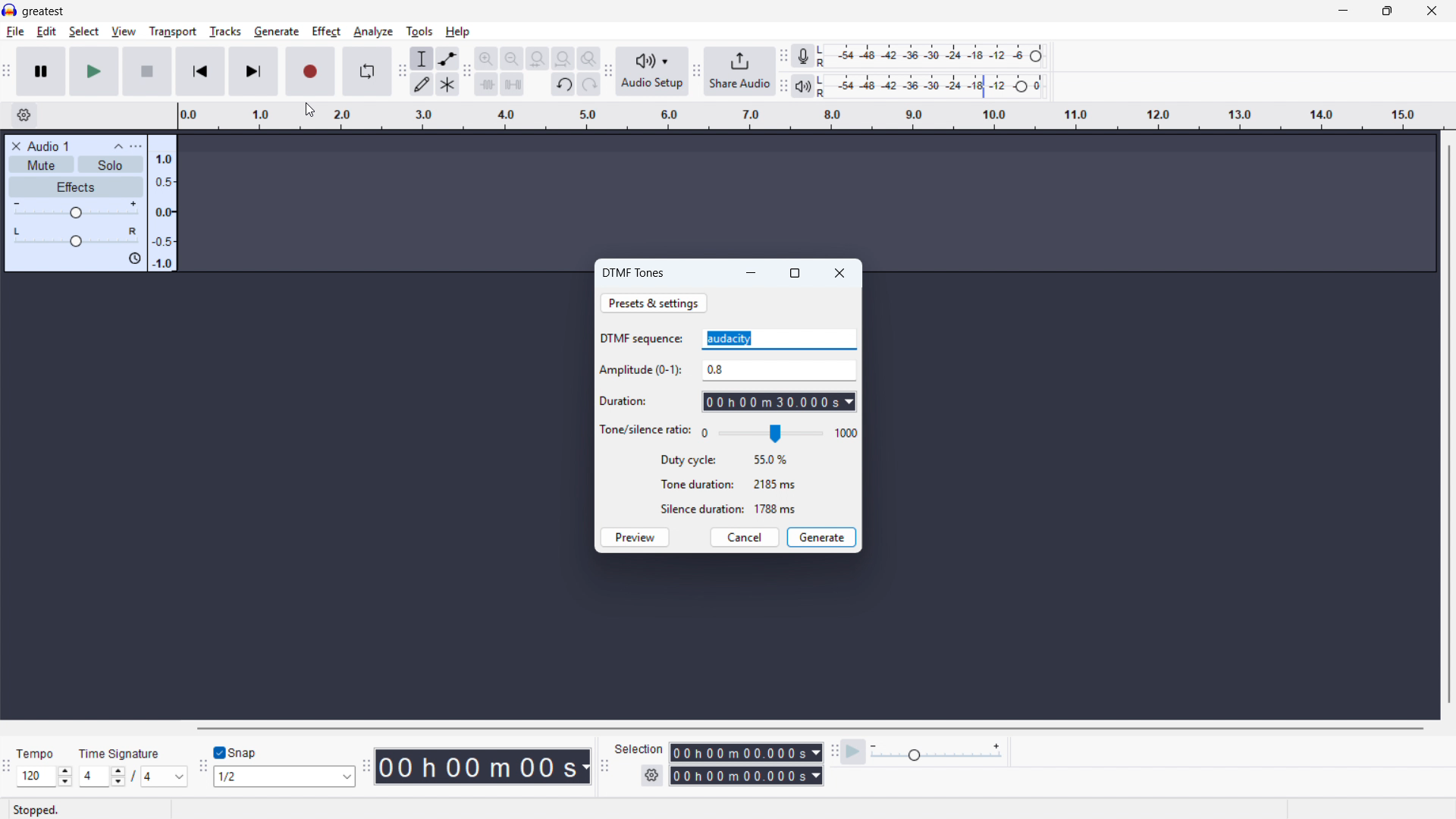 The width and height of the screenshot is (1456, 819). I want to click on Selection start time , so click(745, 752).